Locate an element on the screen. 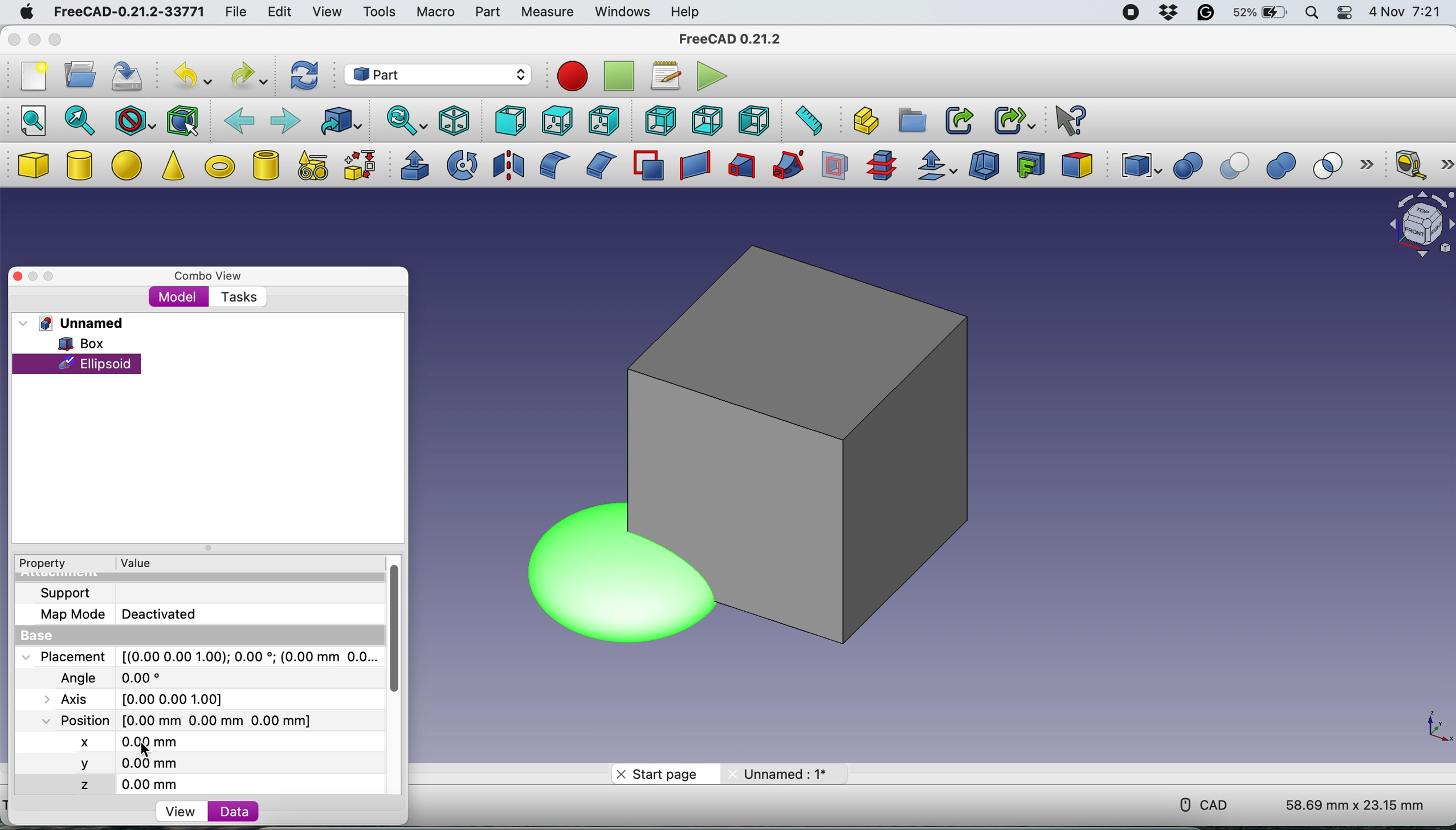 This screenshot has height=830, width=1456. 4 Nov 7:21 is located at coordinates (1407, 14).